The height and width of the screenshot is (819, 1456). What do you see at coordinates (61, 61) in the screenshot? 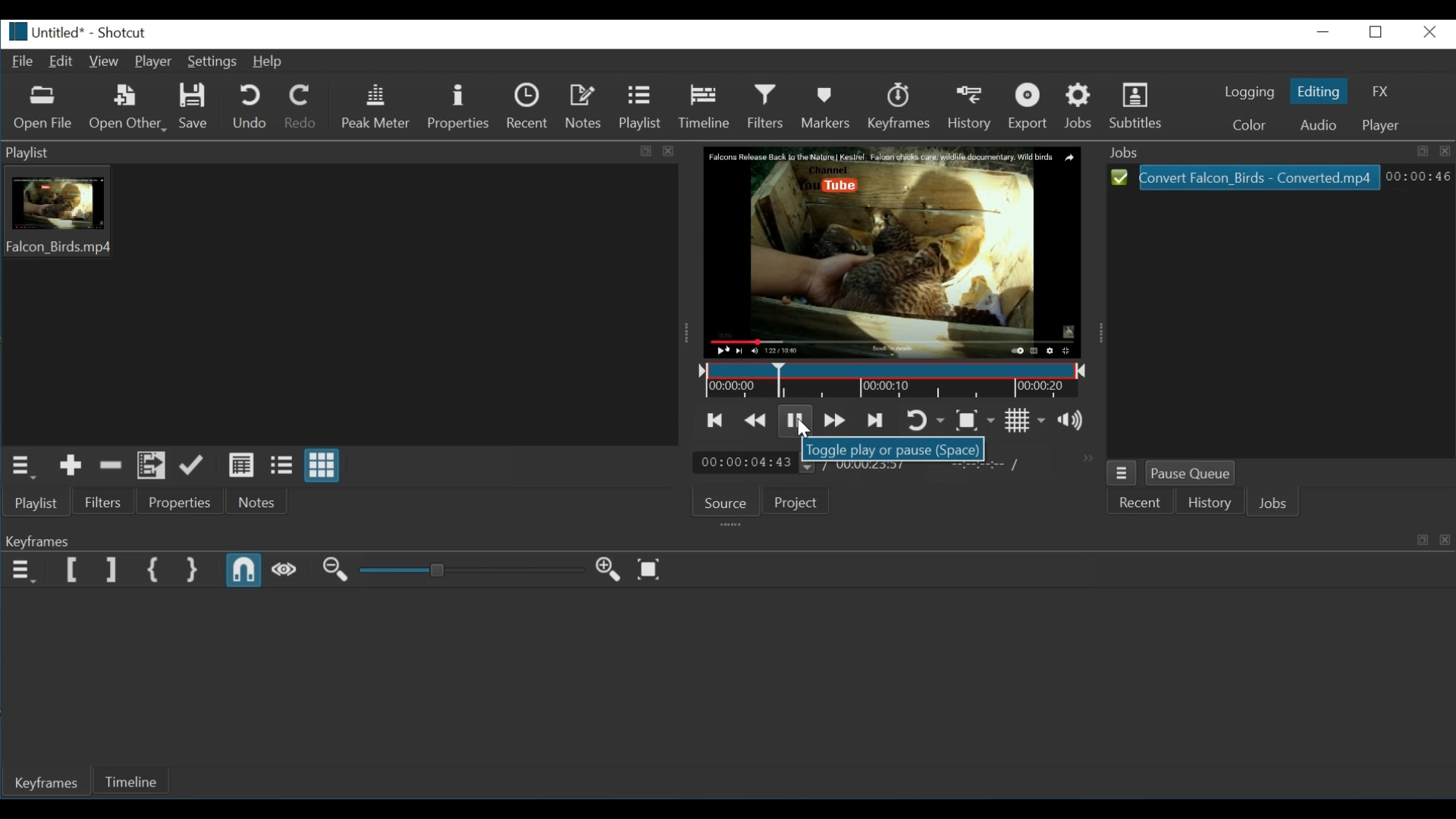
I see `Edit` at bounding box center [61, 61].